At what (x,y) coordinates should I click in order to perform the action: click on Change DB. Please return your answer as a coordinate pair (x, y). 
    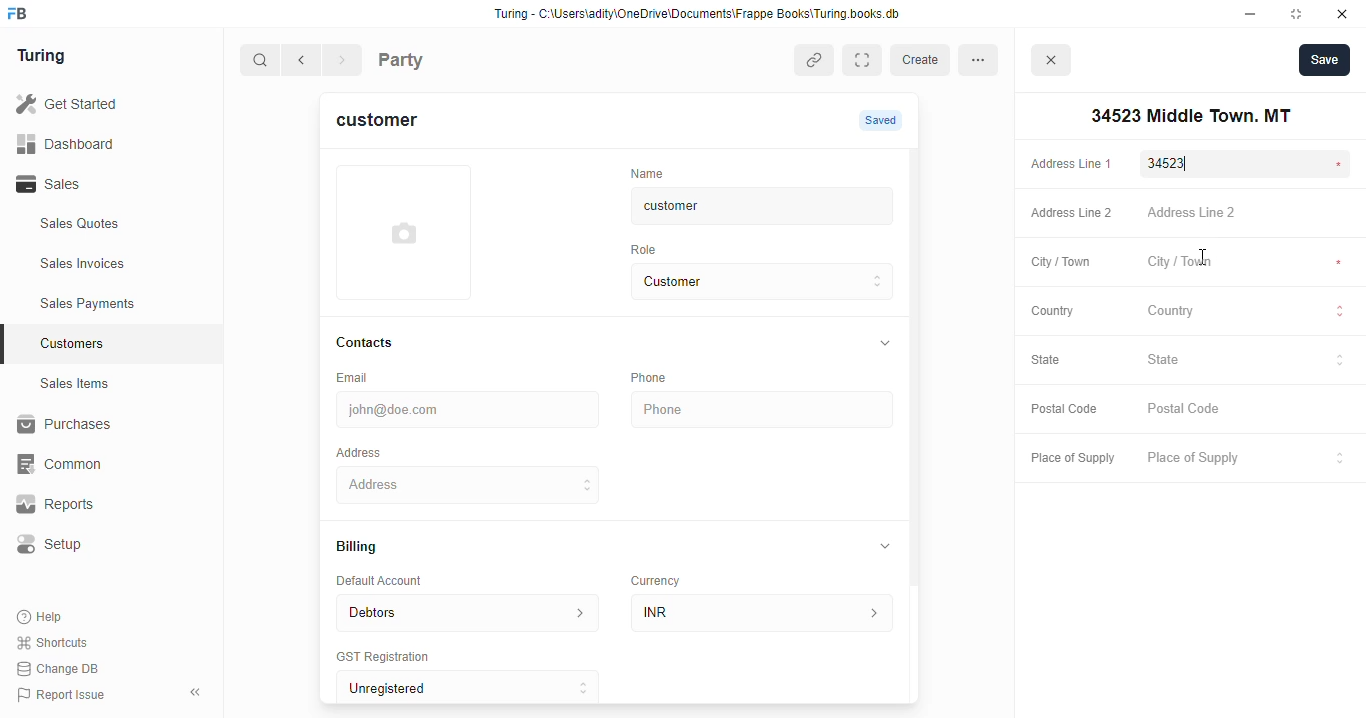
    Looking at the image, I should click on (62, 668).